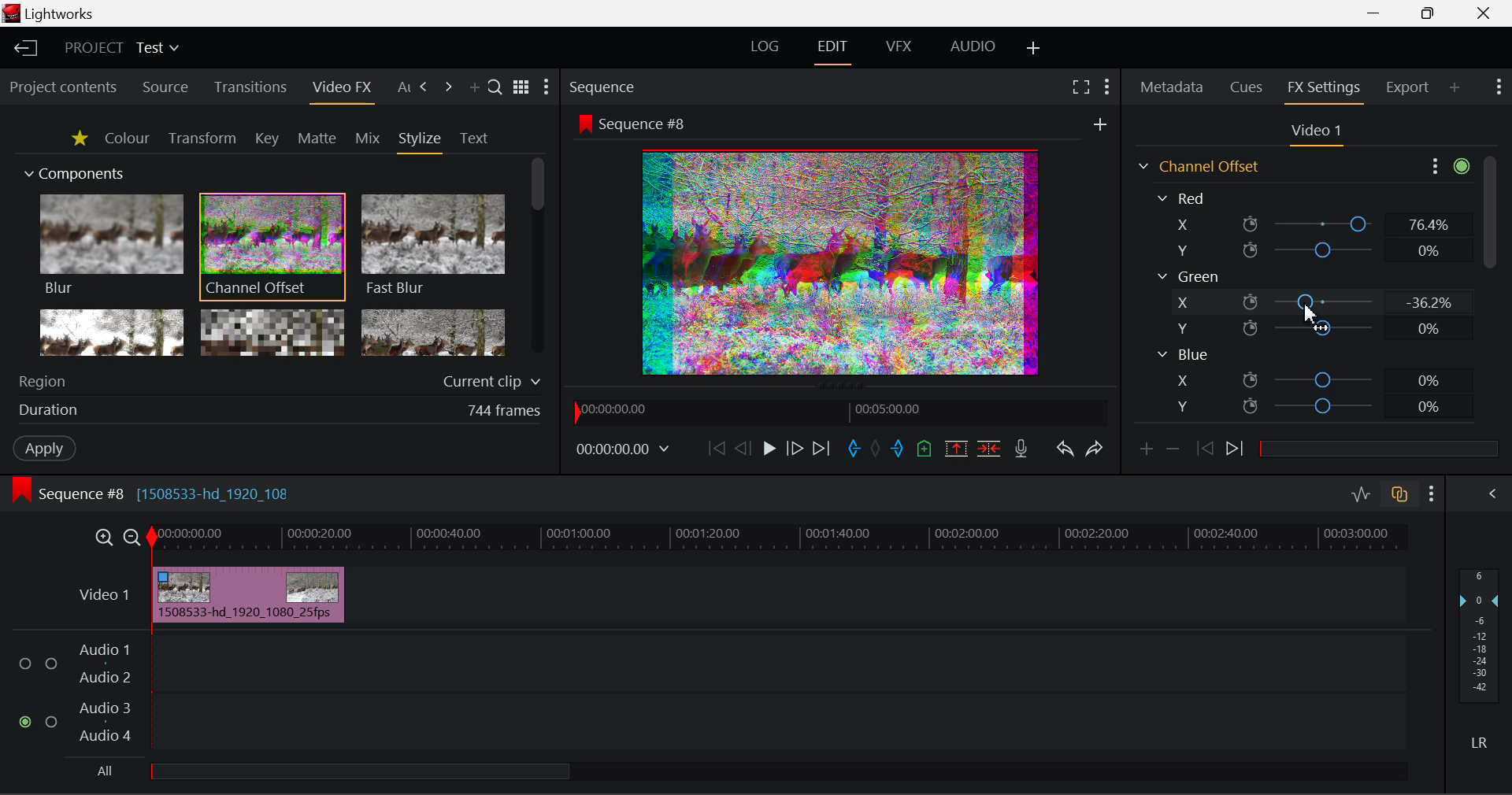  What do you see at coordinates (109, 331) in the screenshot?
I see `Glow` at bounding box center [109, 331].